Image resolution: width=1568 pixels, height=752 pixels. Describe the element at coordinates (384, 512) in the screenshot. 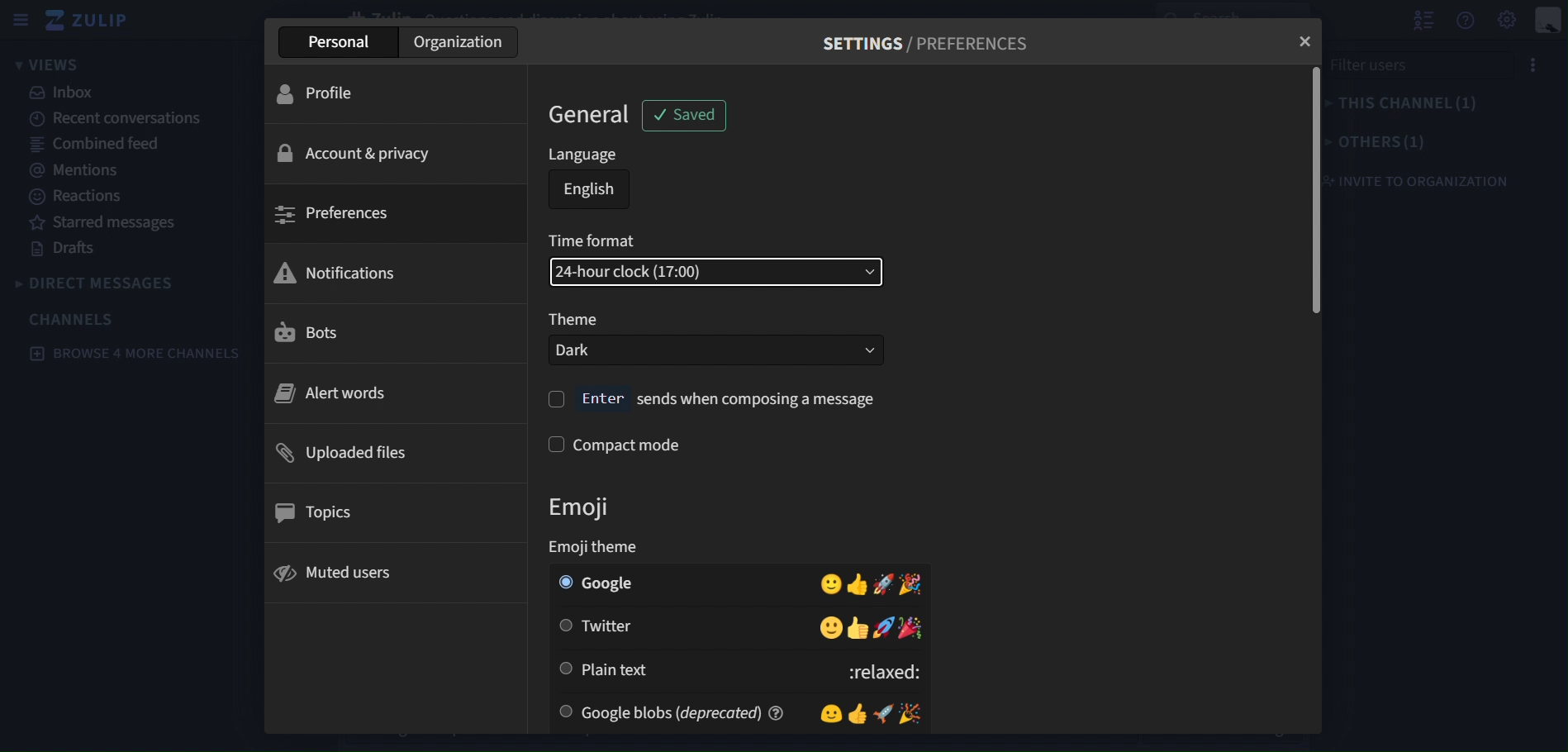

I see `topics` at that location.